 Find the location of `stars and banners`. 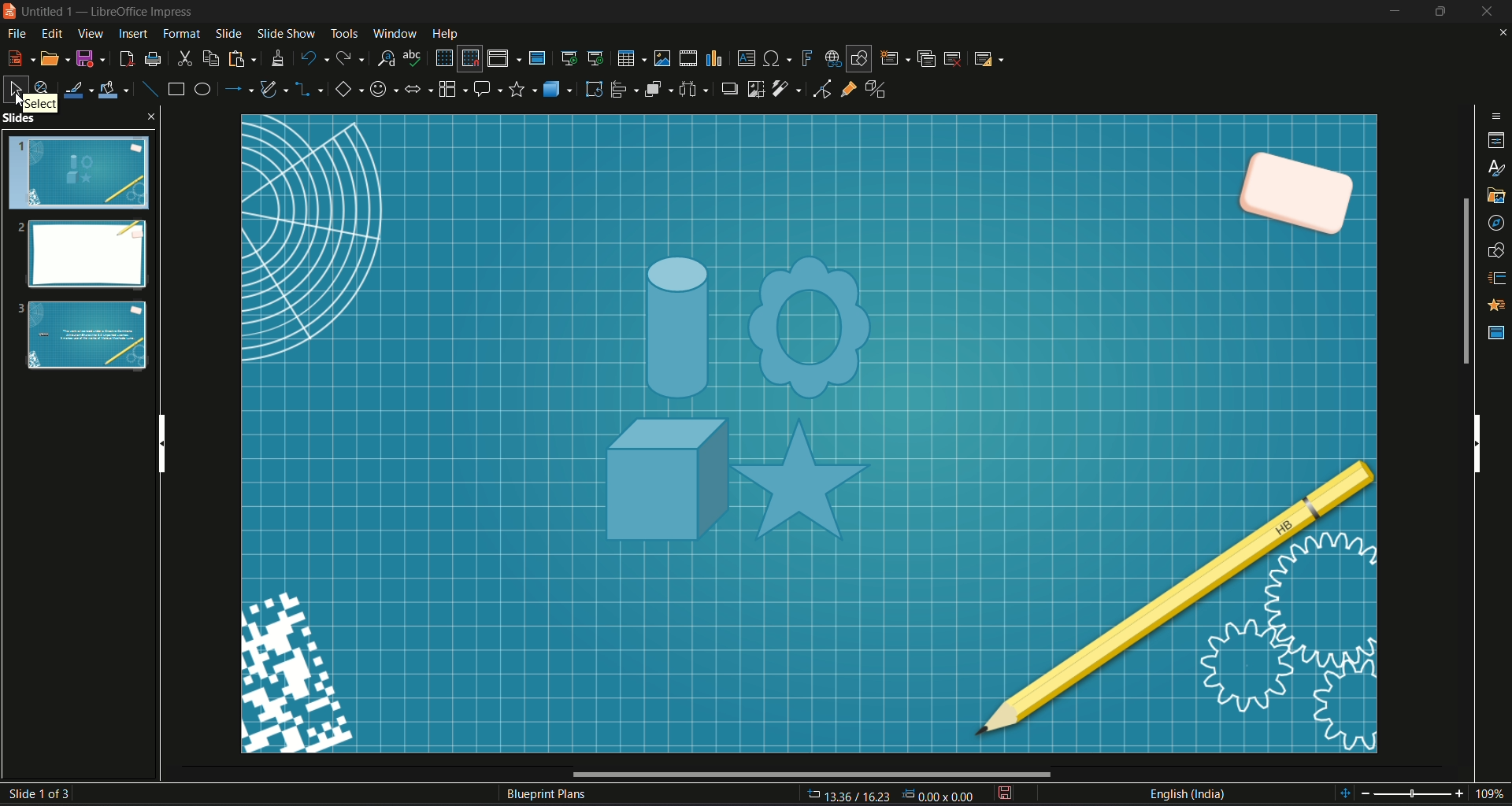

stars and banners is located at coordinates (522, 90).